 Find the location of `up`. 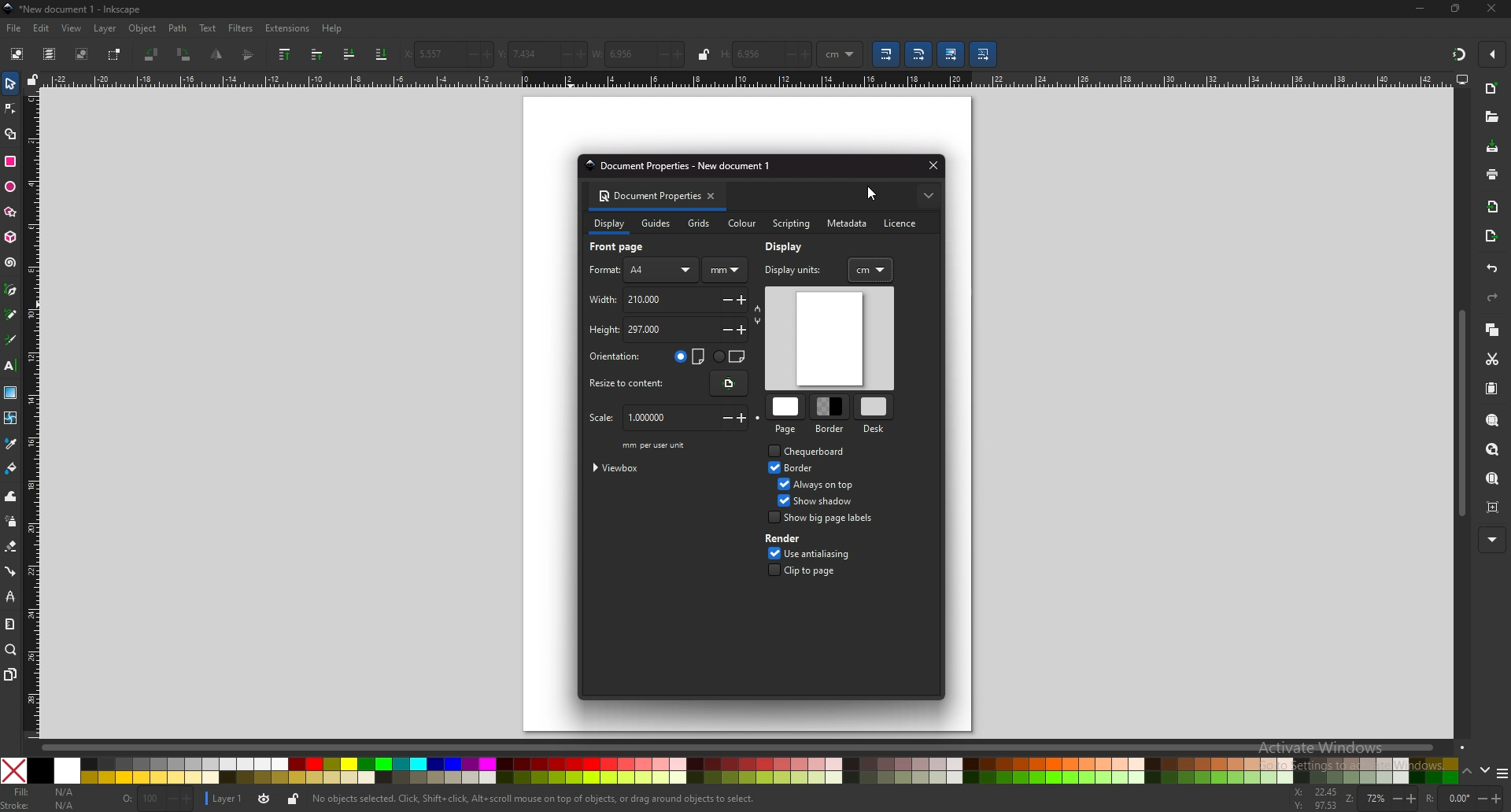

up is located at coordinates (1467, 770).